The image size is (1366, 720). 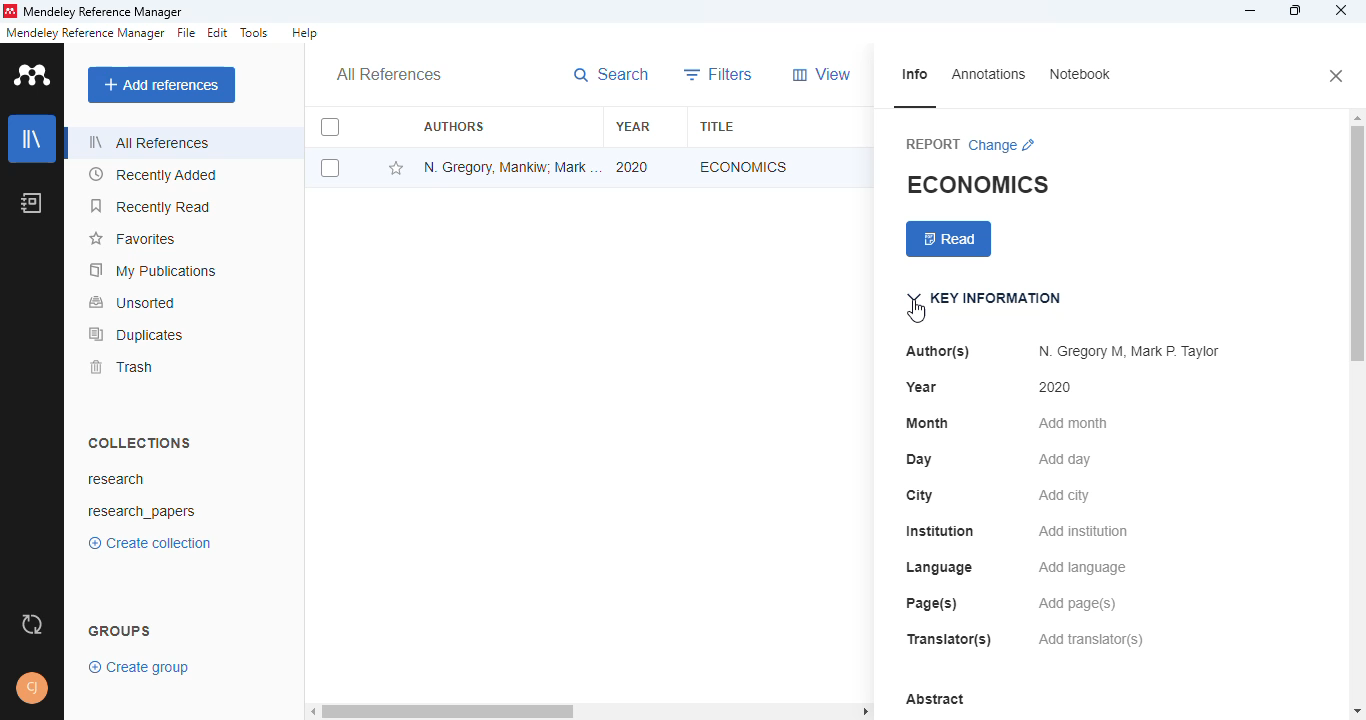 I want to click on library, so click(x=32, y=139).